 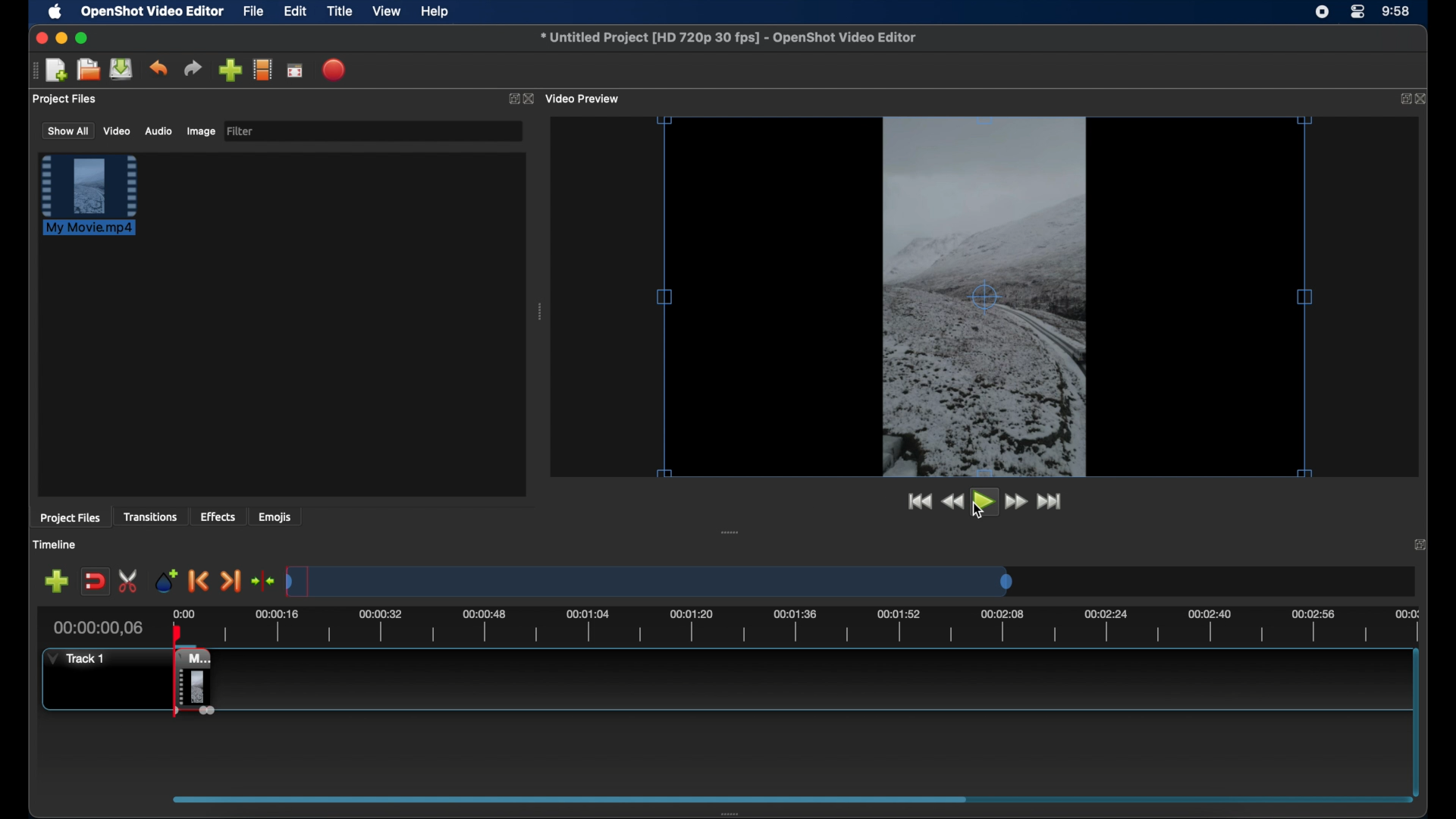 I want to click on add track, so click(x=56, y=582).